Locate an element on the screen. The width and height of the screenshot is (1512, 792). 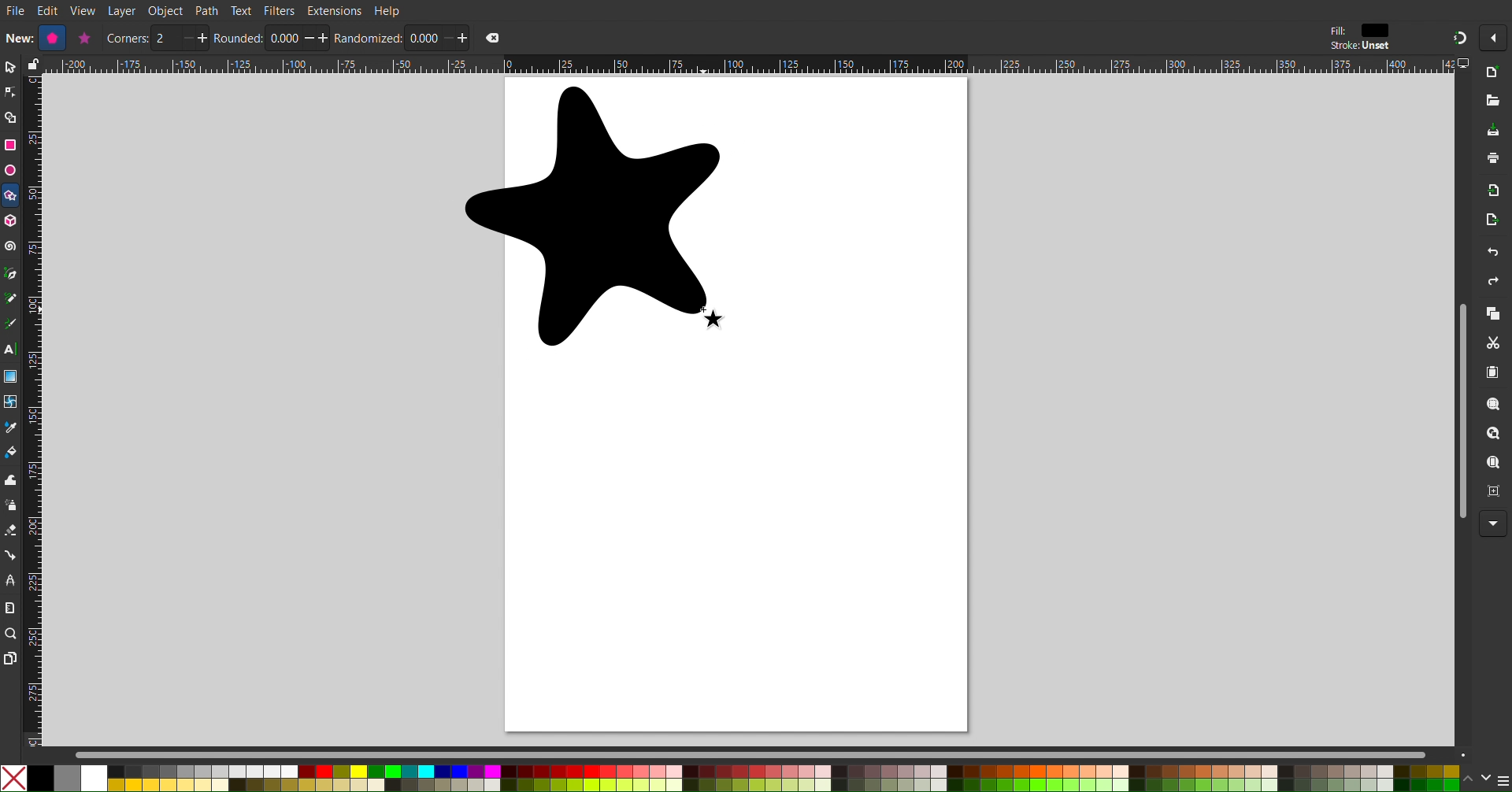
Text Tool is located at coordinates (10, 350).